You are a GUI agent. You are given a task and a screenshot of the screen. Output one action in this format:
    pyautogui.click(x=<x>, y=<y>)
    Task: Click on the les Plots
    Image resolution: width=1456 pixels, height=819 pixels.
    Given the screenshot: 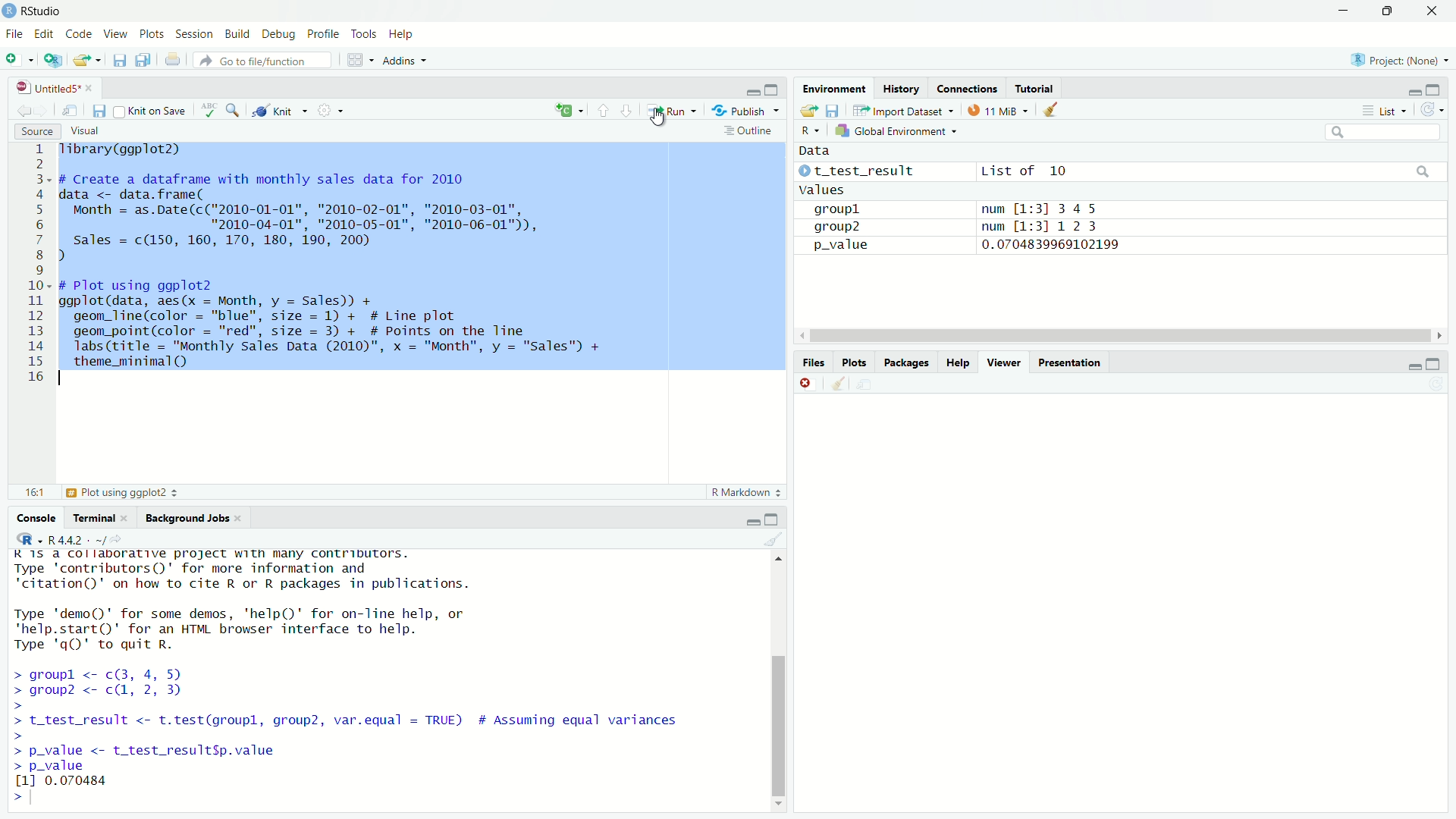 What is the action you would take?
    pyautogui.click(x=853, y=362)
    